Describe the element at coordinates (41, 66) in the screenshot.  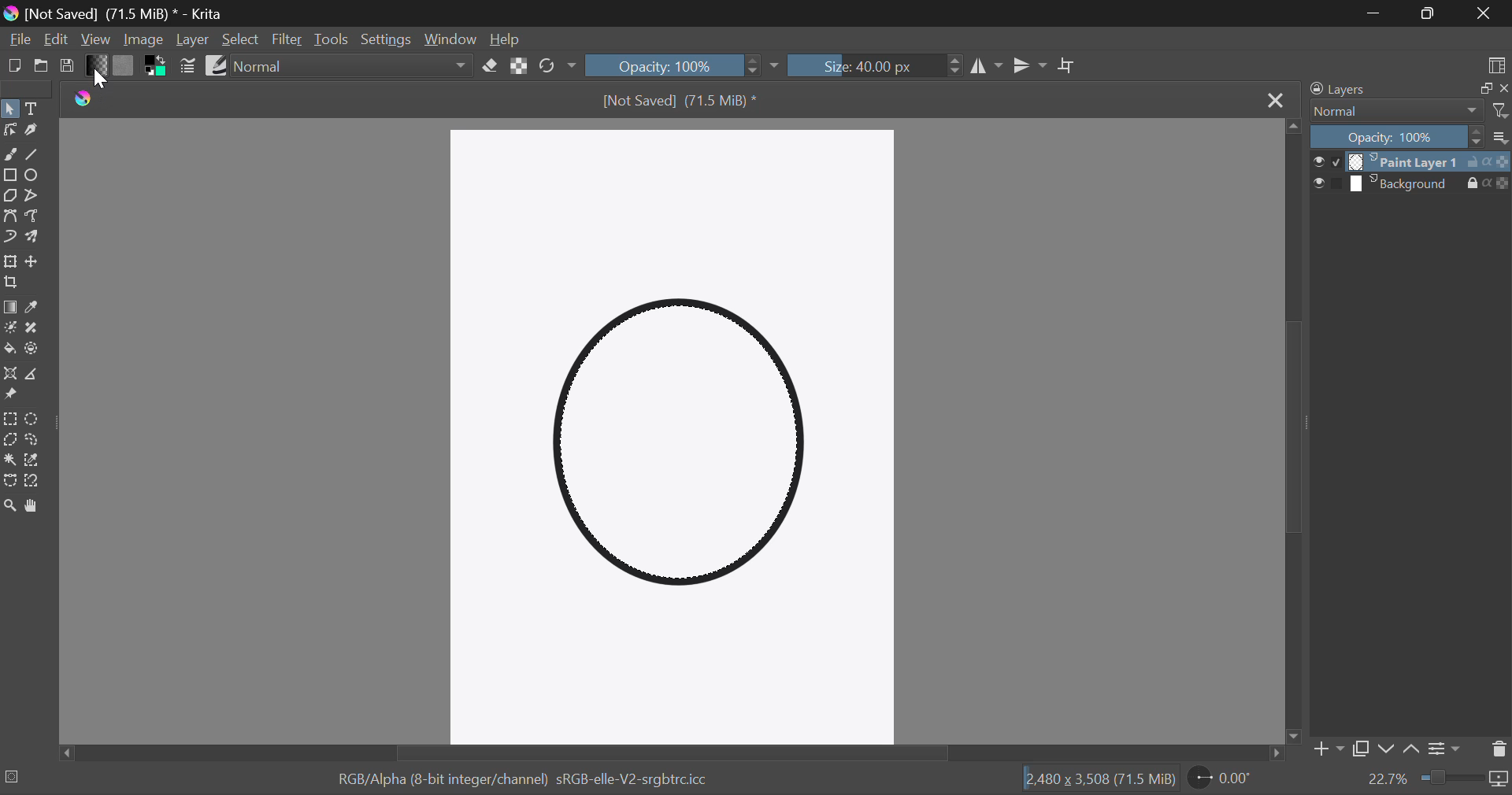
I see `Open` at that location.